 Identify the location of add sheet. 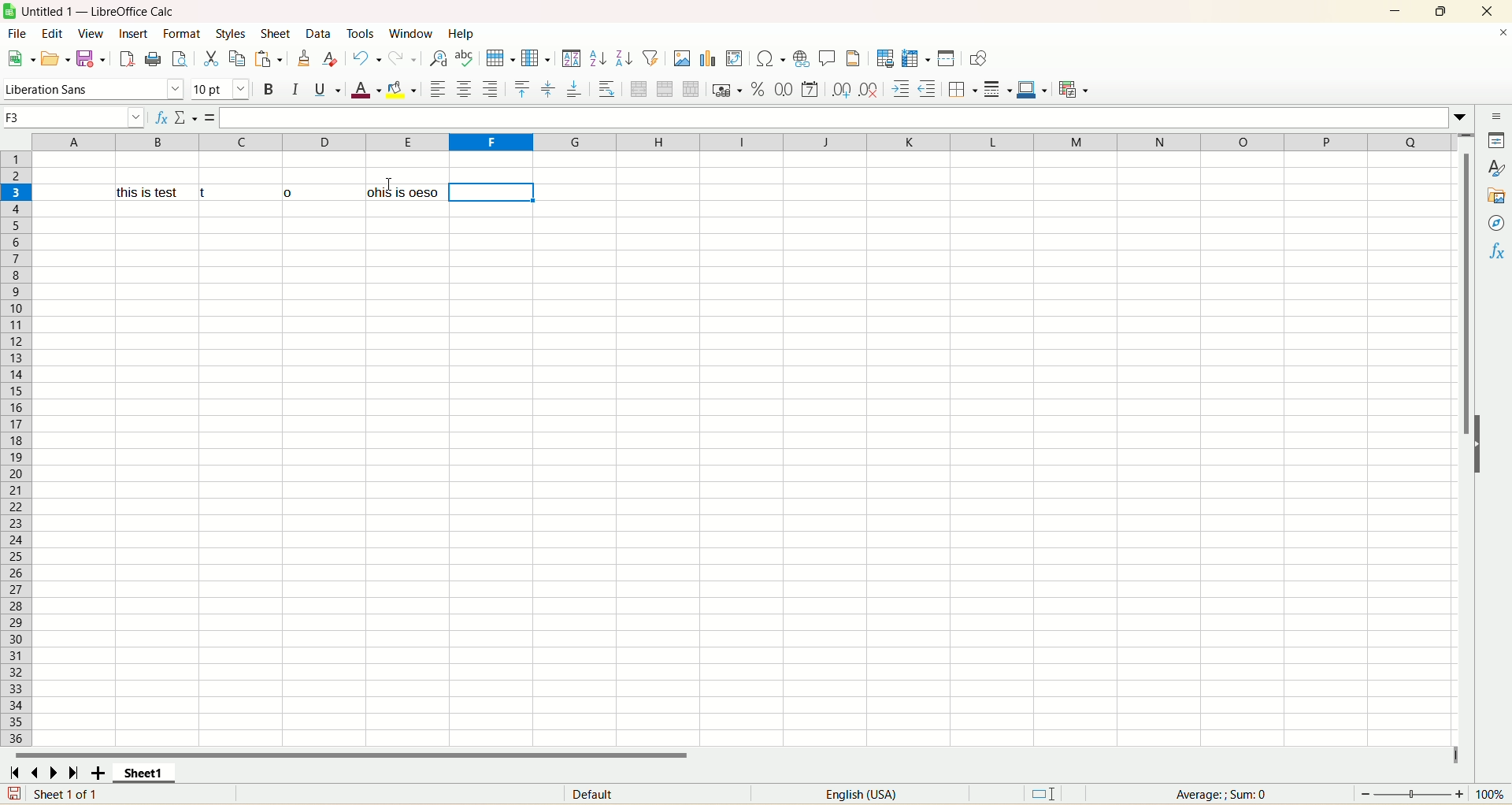
(102, 770).